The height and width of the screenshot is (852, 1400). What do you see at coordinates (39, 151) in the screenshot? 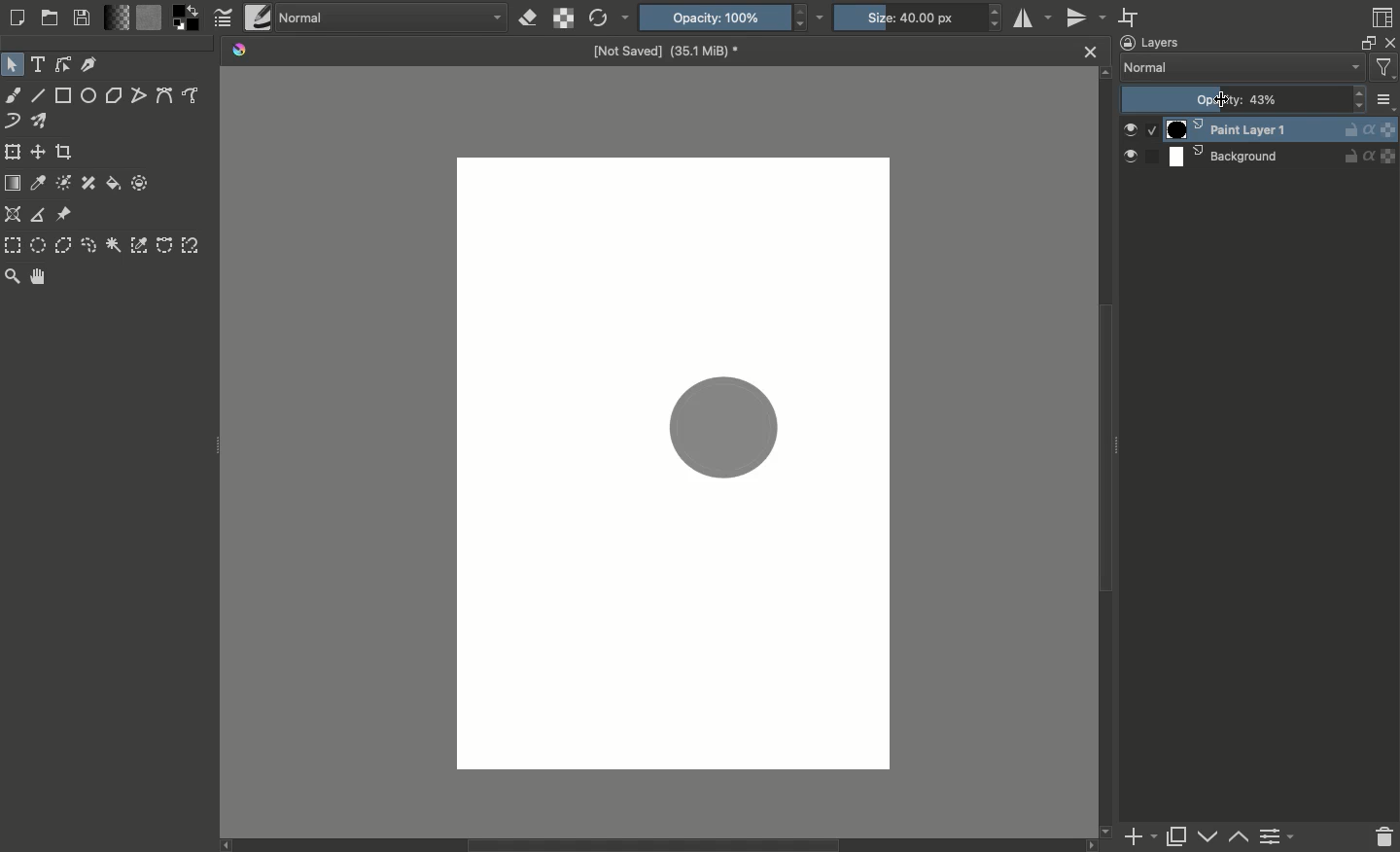
I see `Move a layer` at bounding box center [39, 151].